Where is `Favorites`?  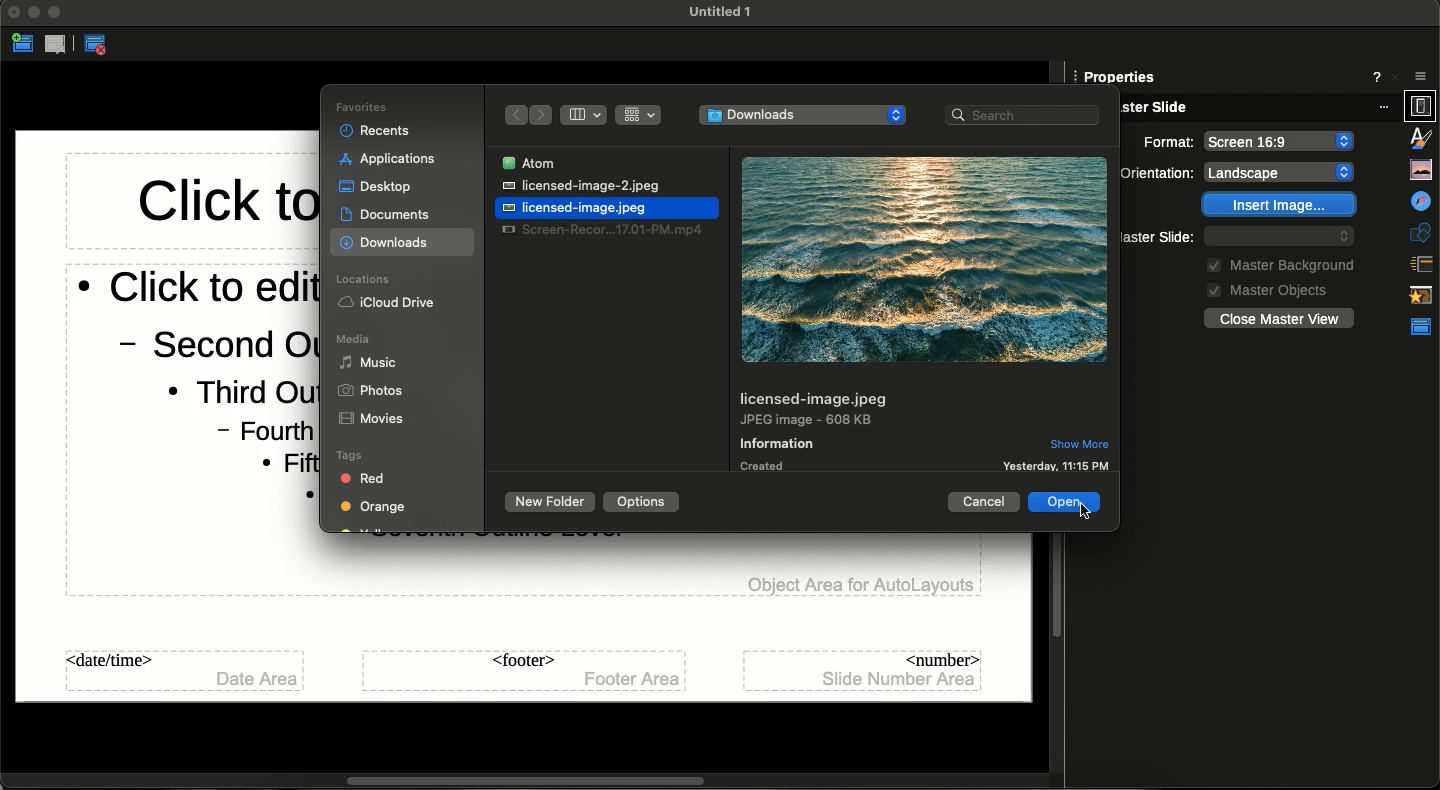
Favorites is located at coordinates (358, 106).